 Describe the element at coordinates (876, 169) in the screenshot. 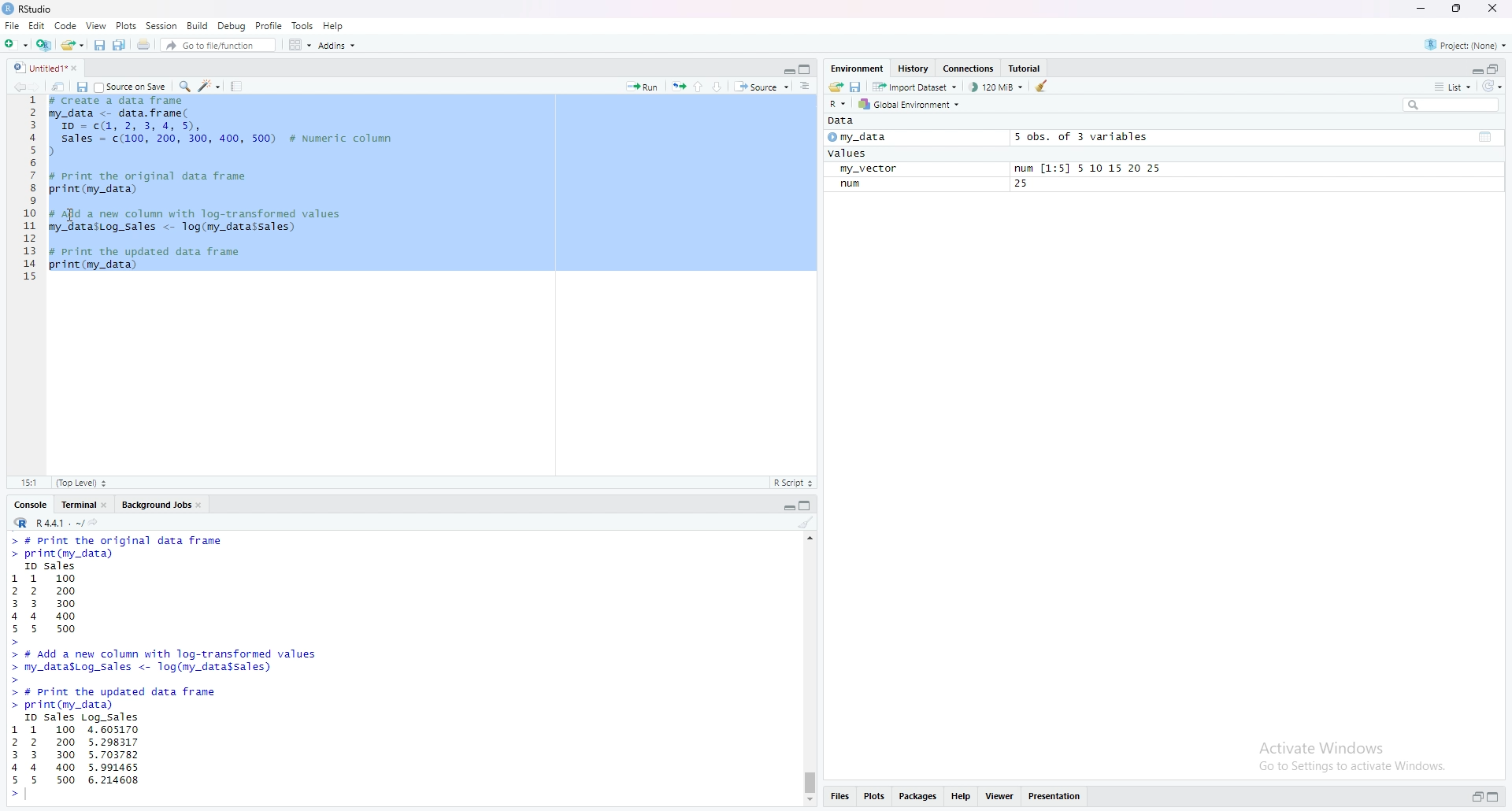

I see `my_vector` at that location.